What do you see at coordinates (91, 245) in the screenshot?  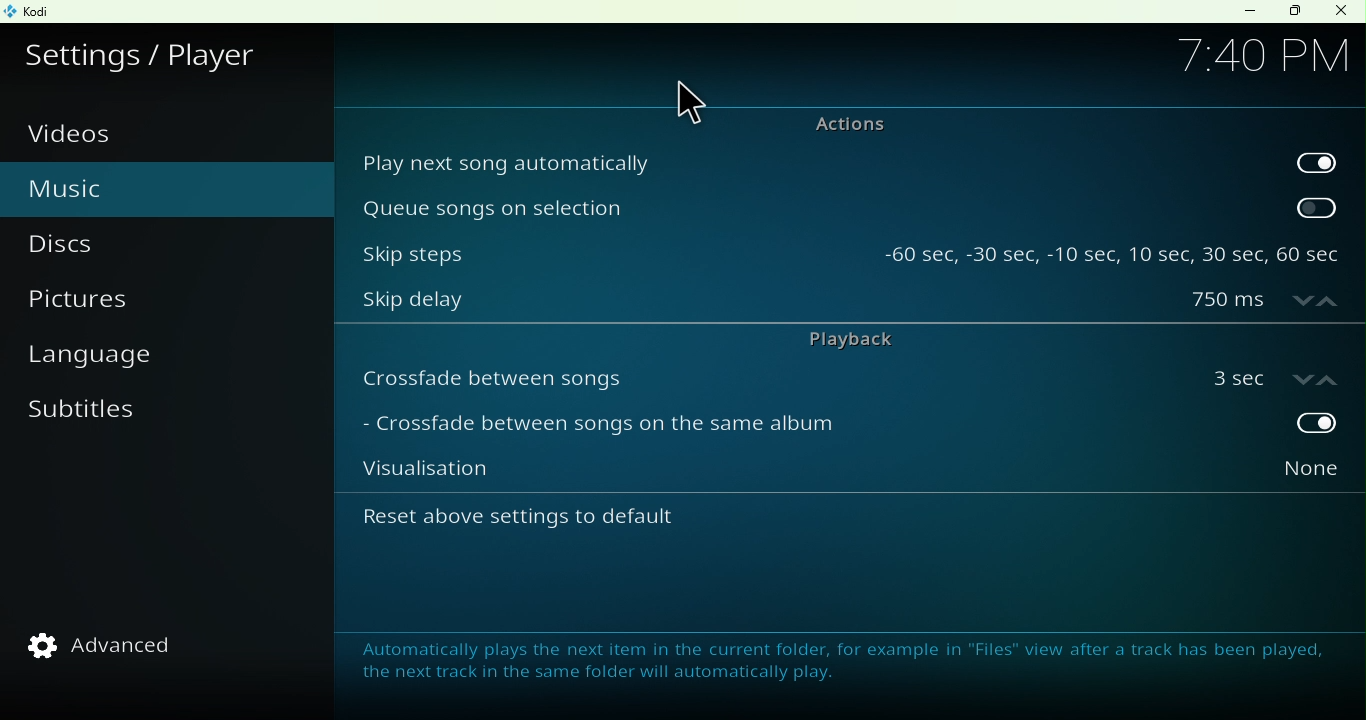 I see `Discs` at bounding box center [91, 245].